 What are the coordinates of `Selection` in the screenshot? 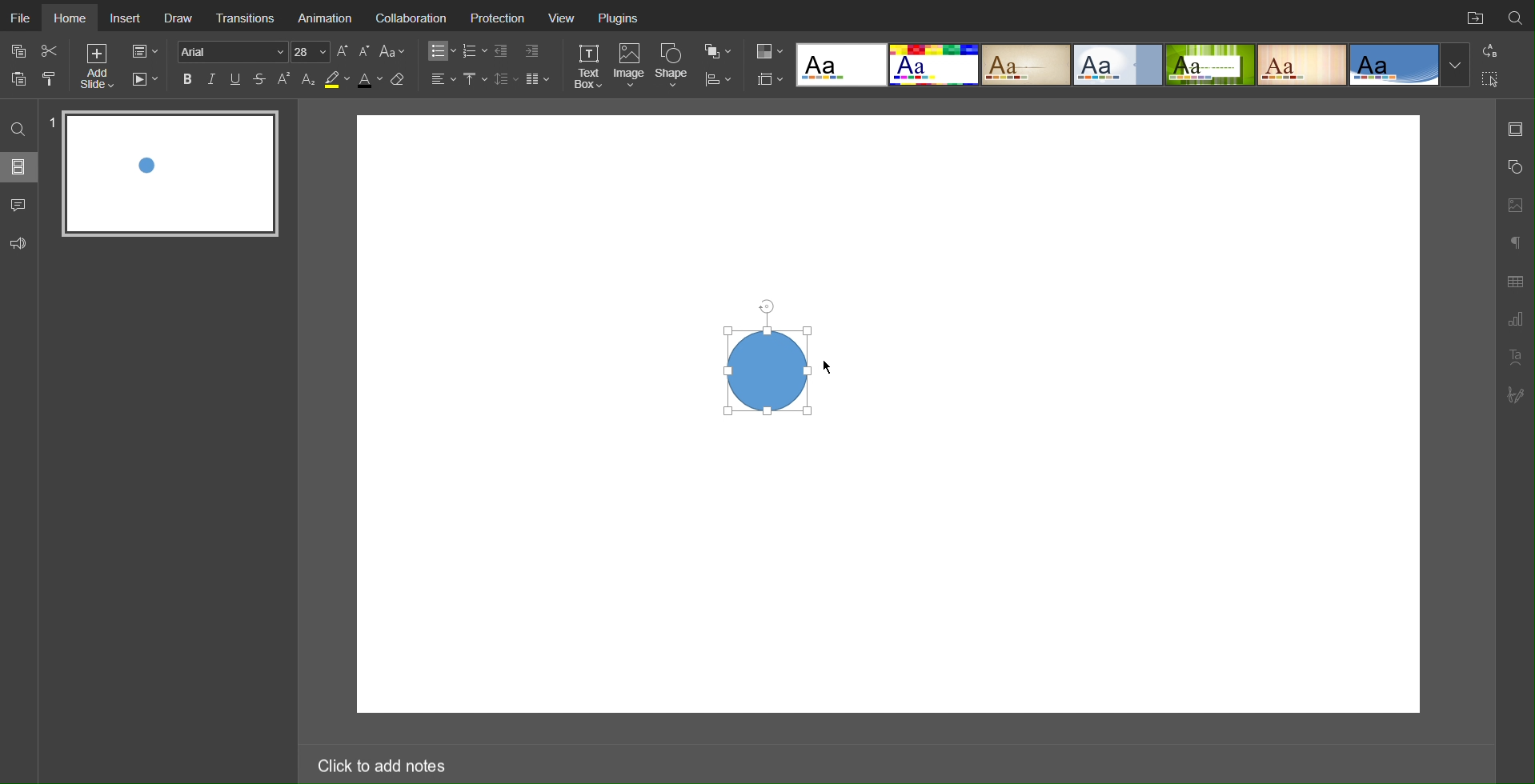 It's located at (1491, 78).